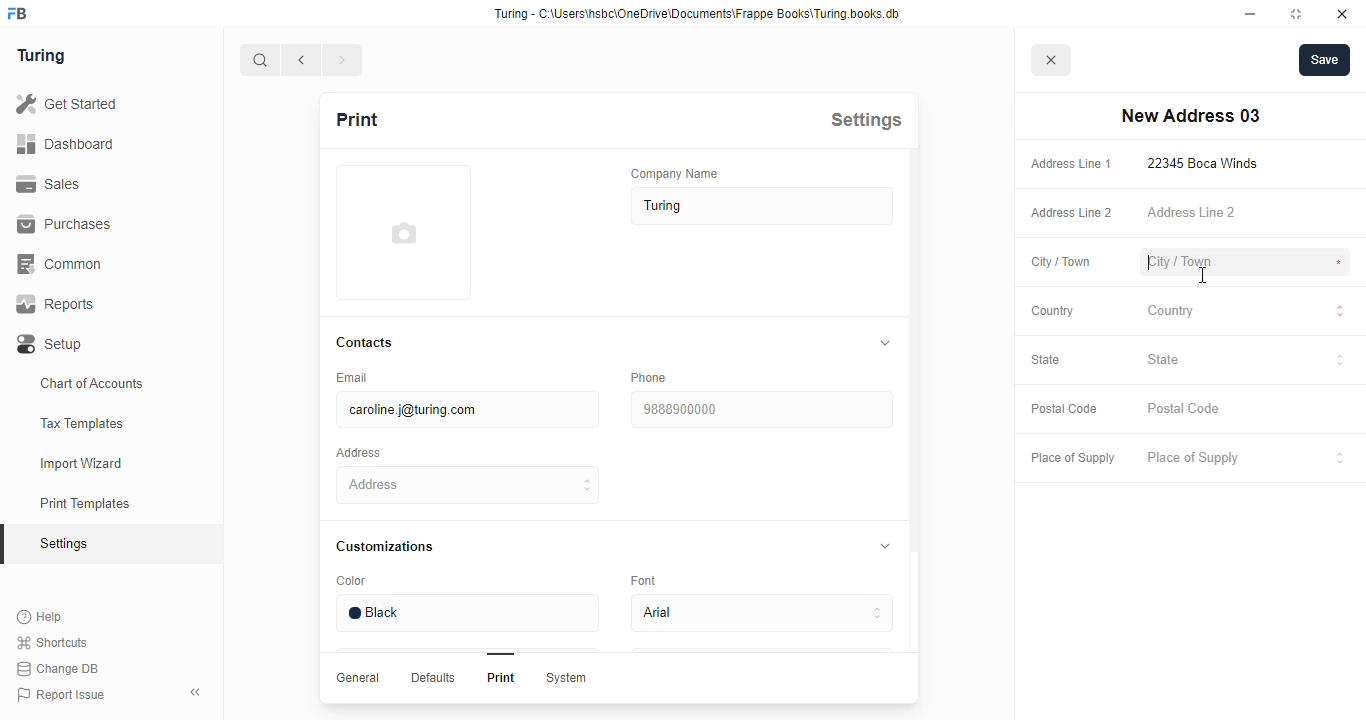  Describe the element at coordinates (1072, 459) in the screenshot. I see `place of supply` at that location.